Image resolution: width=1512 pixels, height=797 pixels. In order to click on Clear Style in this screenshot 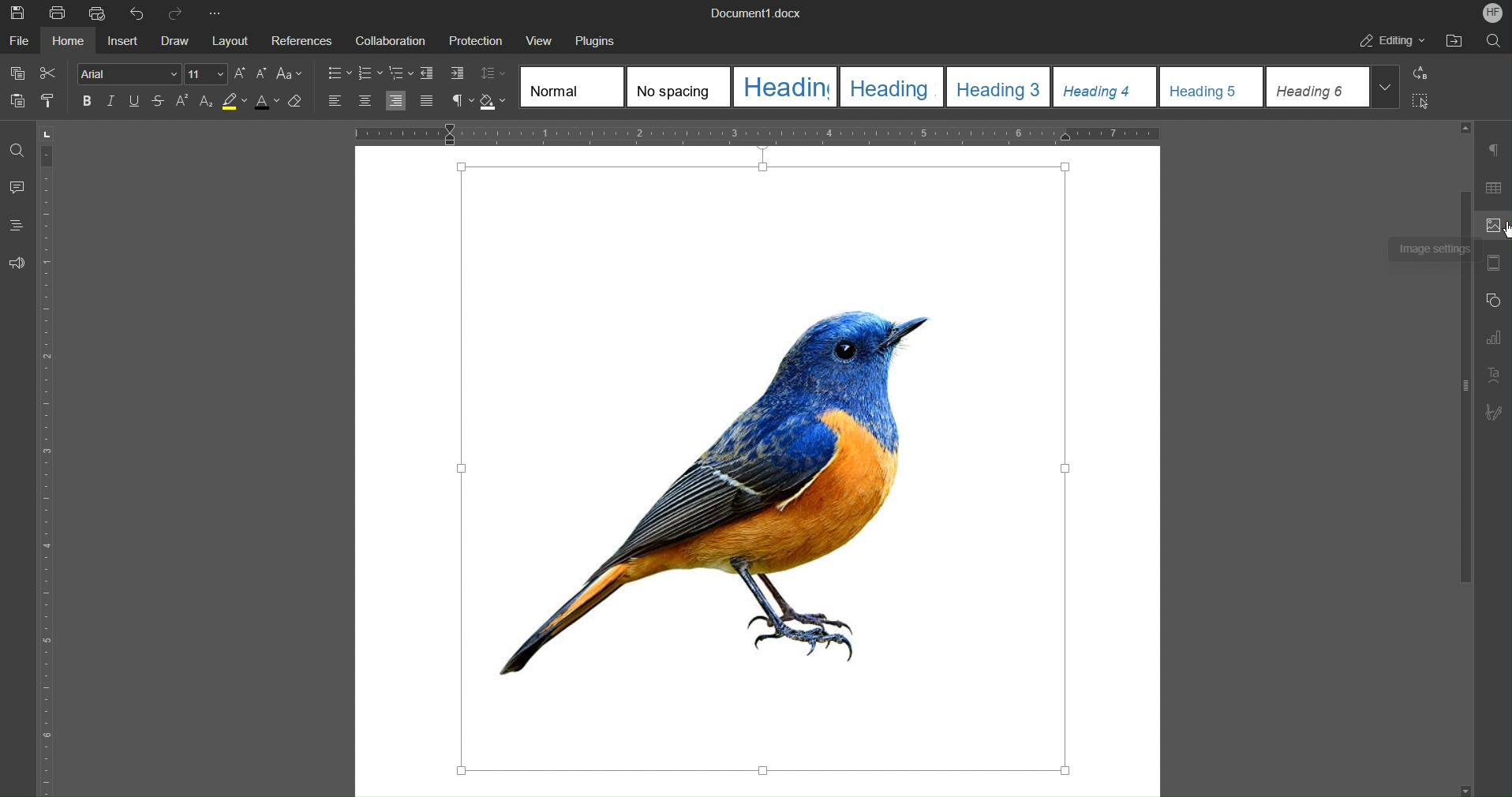, I will do `click(300, 104)`.